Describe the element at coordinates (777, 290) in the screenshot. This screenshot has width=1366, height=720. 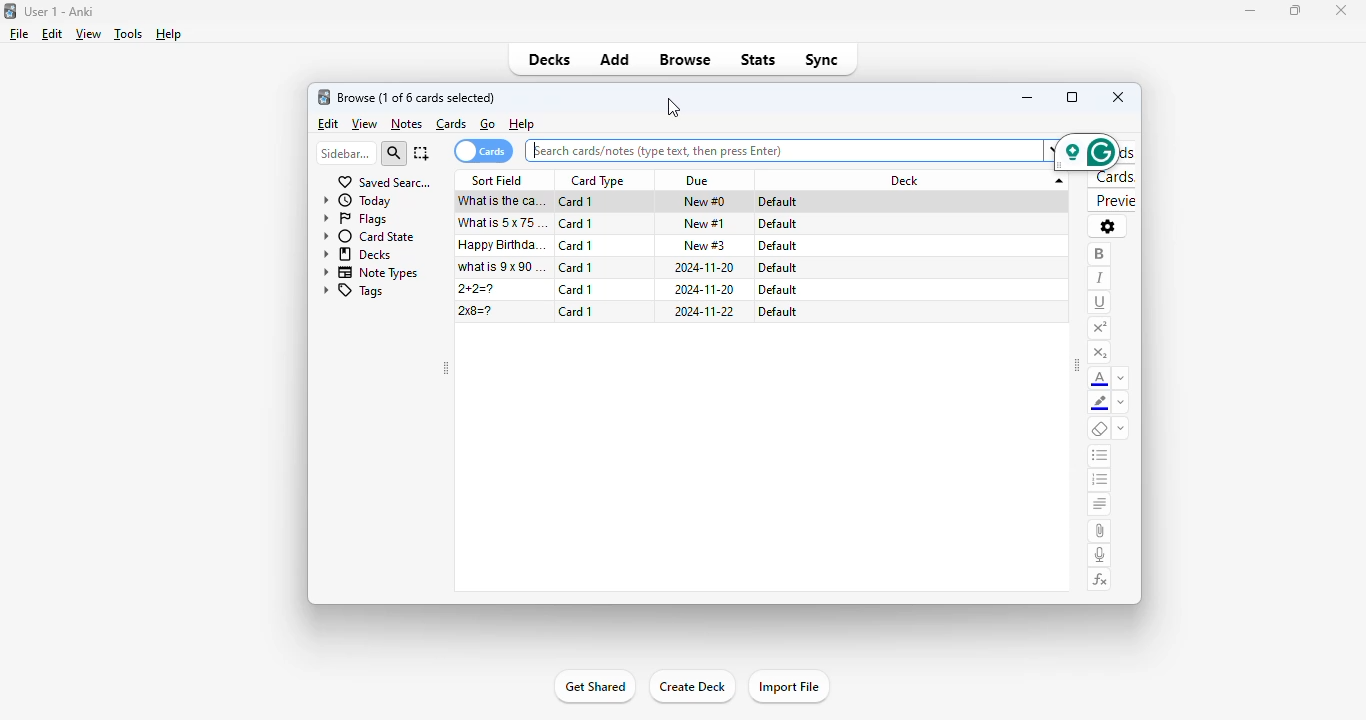
I see `default` at that location.